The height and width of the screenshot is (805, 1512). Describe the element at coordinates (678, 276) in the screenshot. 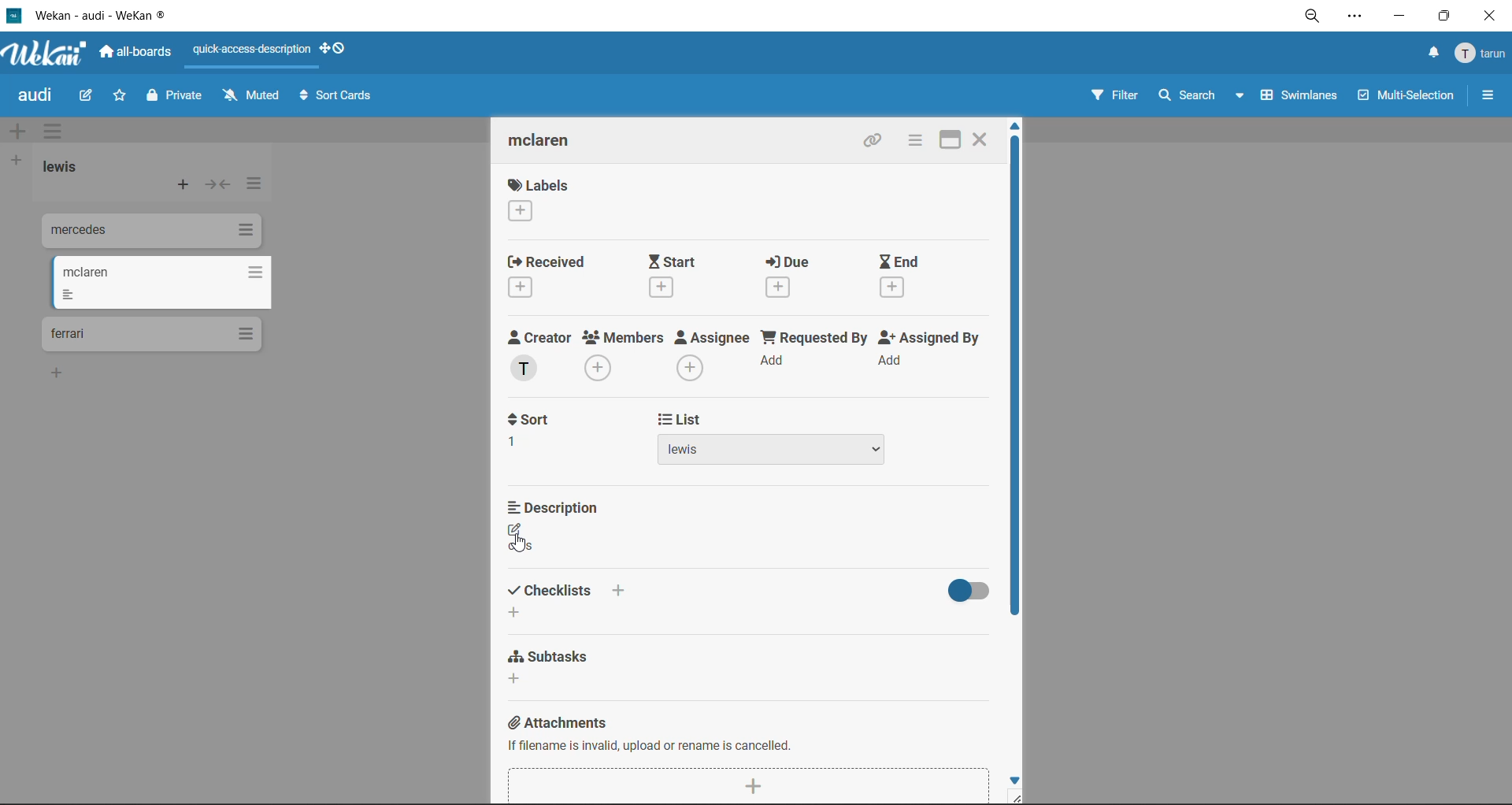

I see `start` at that location.